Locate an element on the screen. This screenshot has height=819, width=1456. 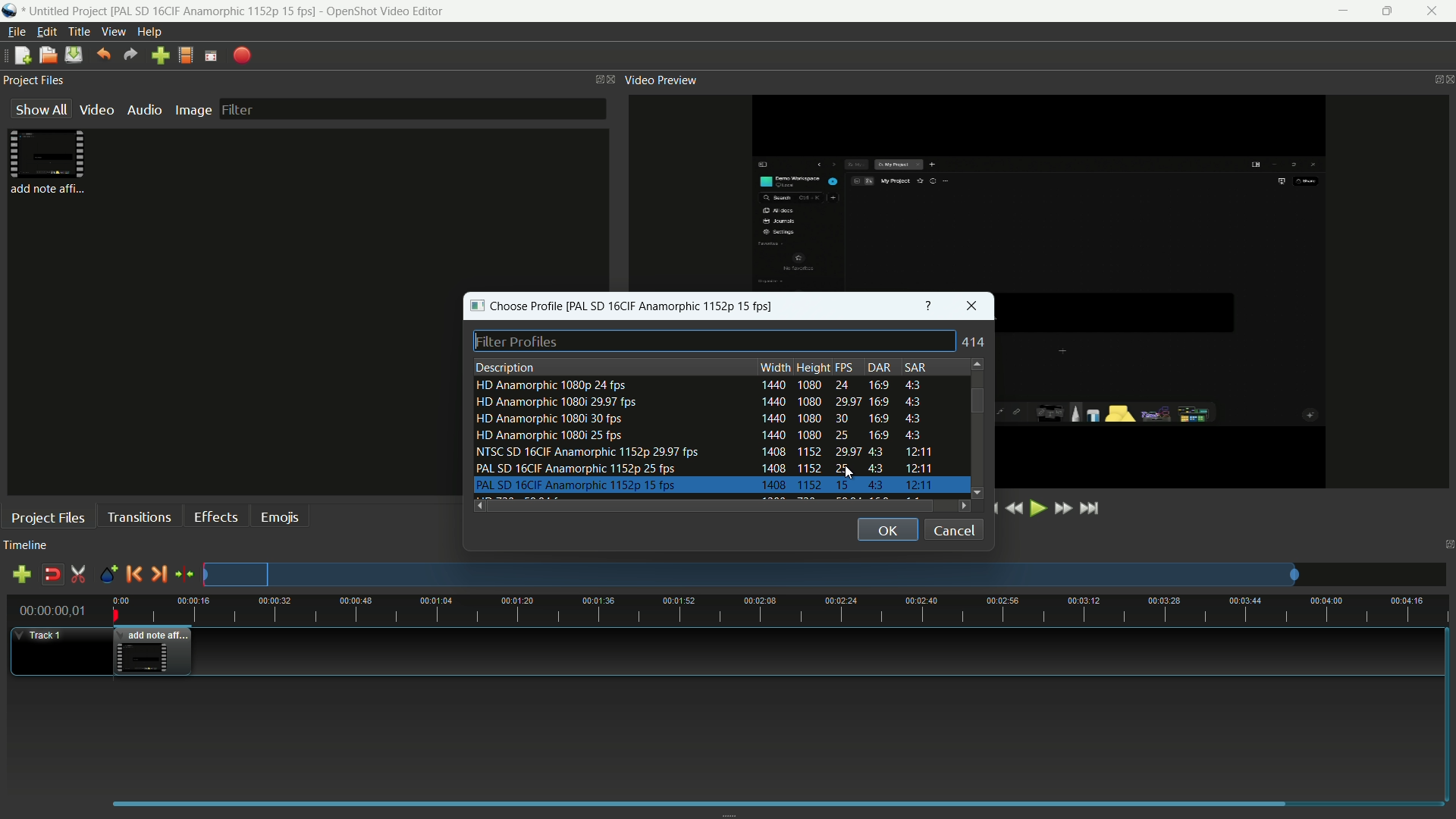
time is located at coordinates (789, 610).